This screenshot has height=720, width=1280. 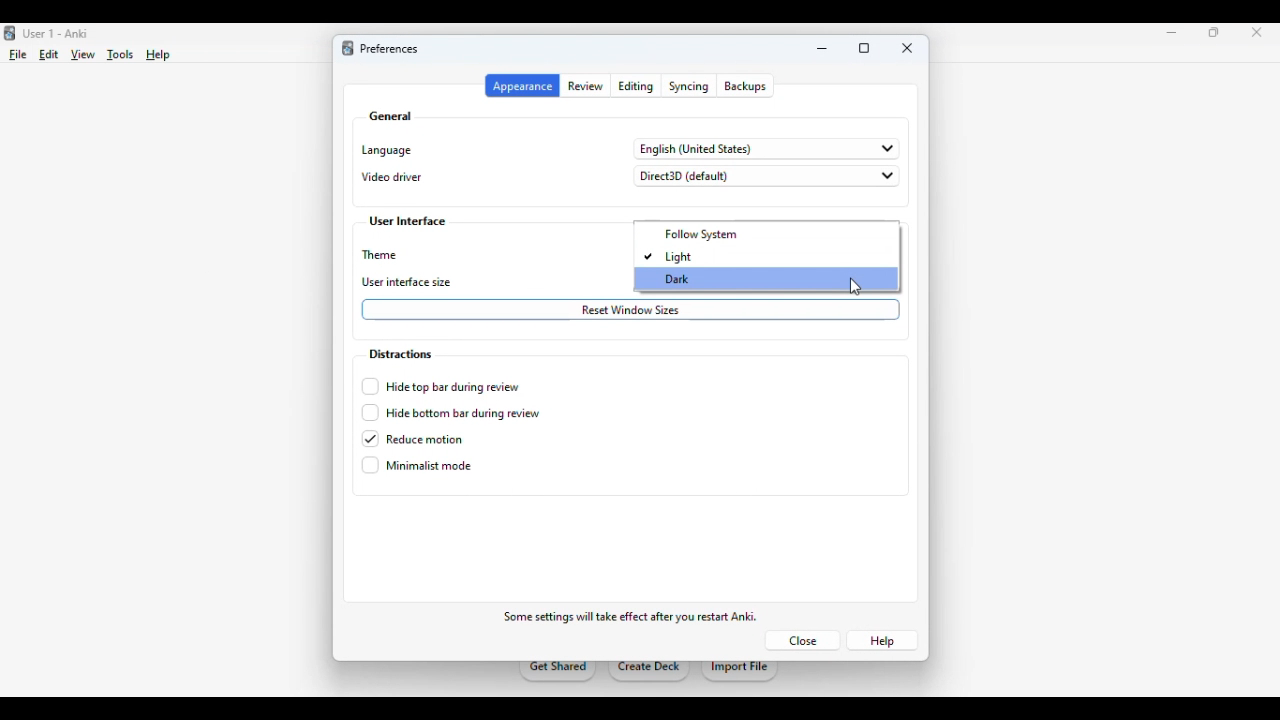 What do you see at coordinates (413, 439) in the screenshot?
I see `reduce motion` at bounding box center [413, 439].